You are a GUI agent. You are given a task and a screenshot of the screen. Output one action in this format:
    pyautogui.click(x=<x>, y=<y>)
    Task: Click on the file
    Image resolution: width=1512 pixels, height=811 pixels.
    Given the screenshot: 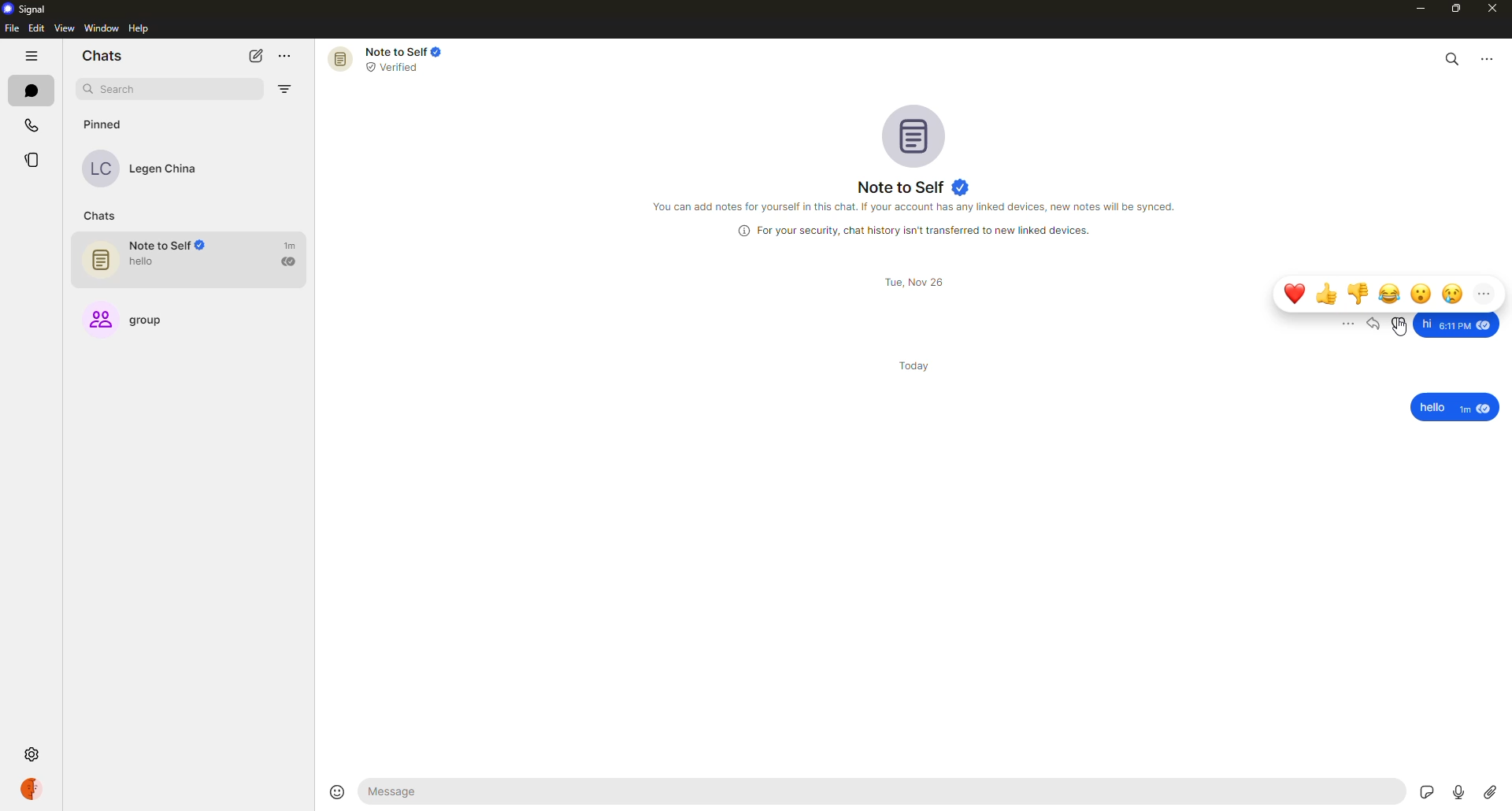 What is the action you would take?
    pyautogui.click(x=11, y=29)
    